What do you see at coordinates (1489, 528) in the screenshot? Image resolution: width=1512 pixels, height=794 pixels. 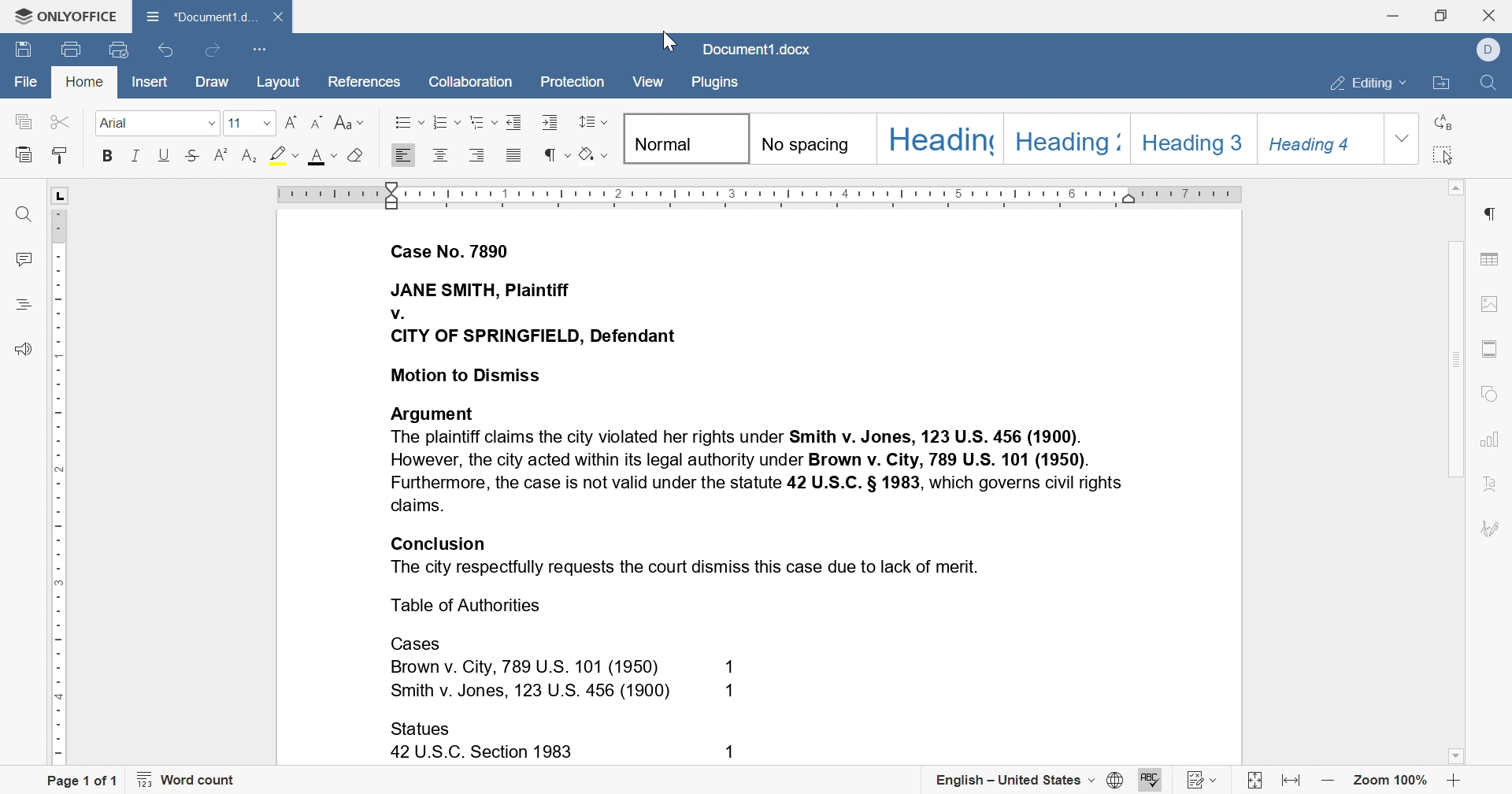 I see `signature settings` at bounding box center [1489, 528].